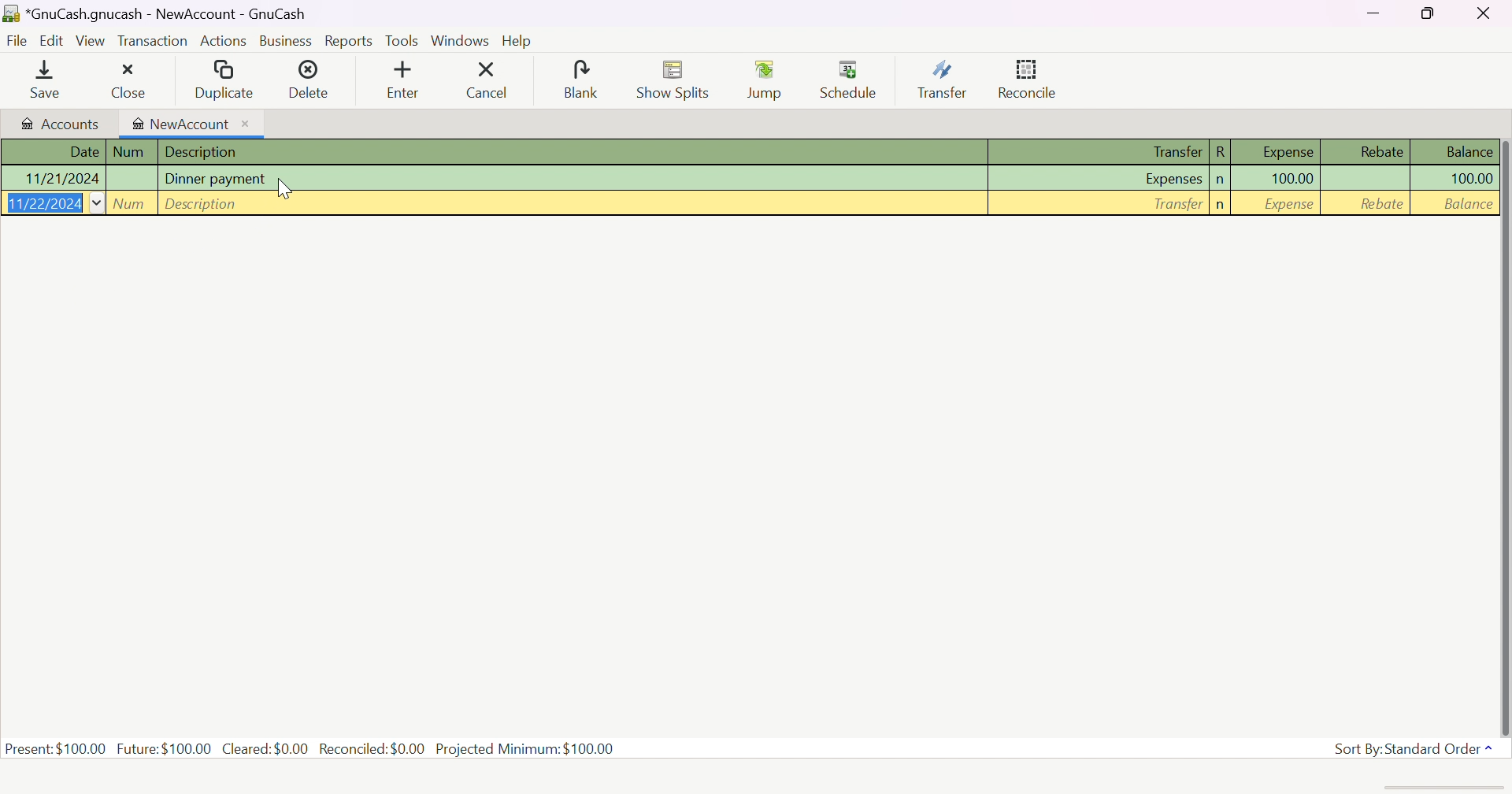 Image resolution: width=1512 pixels, height=794 pixels. I want to click on Transfer, so click(944, 80).